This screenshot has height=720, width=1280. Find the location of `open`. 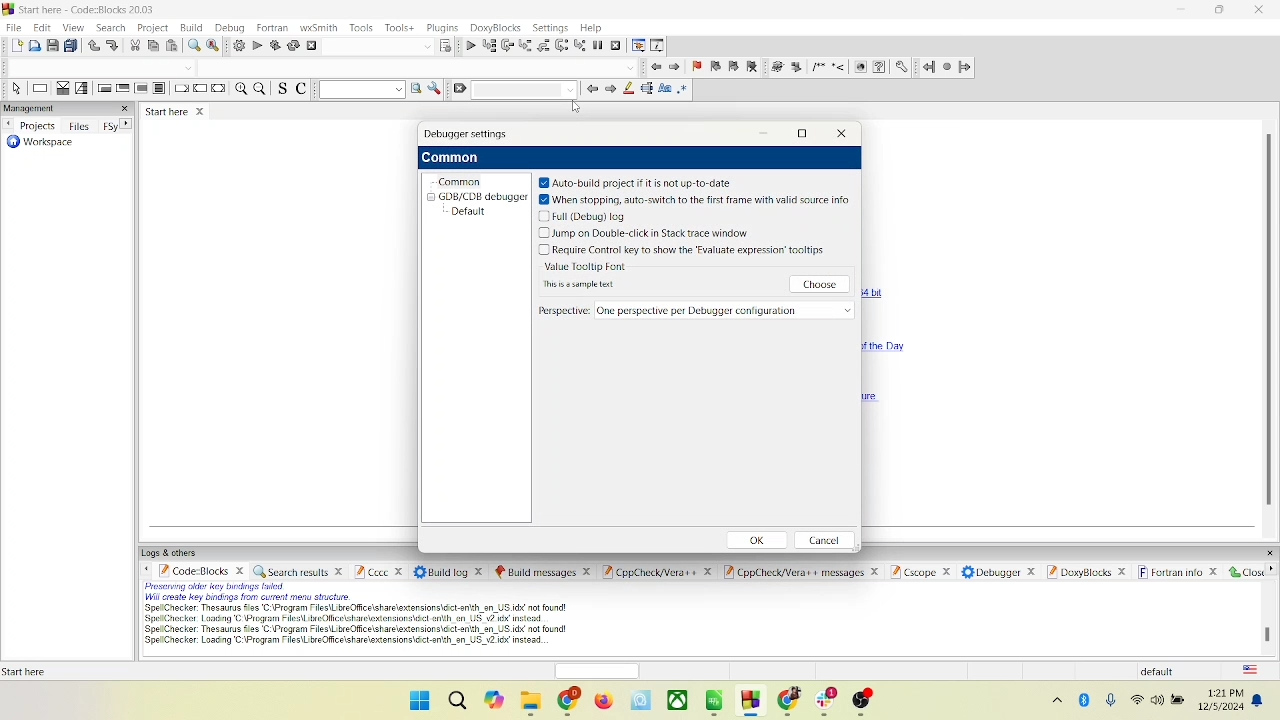

open is located at coordinates (35, 45).